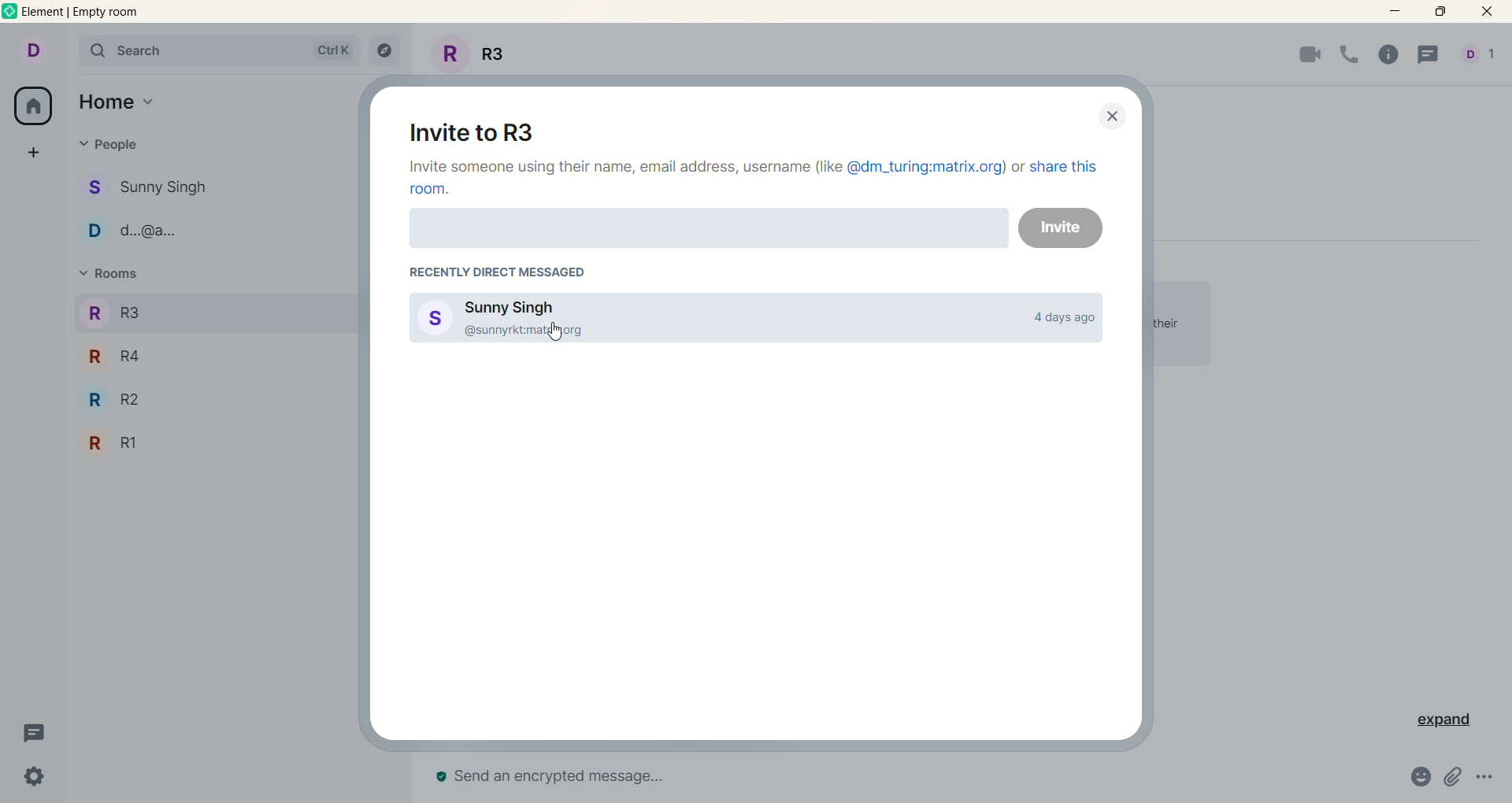 This screenshot has height=803, width=1512. What do you see at coordinates (1503, 416) in the screenshot?
I see `vertical scroll bar` at bounding box center [1503, 416].